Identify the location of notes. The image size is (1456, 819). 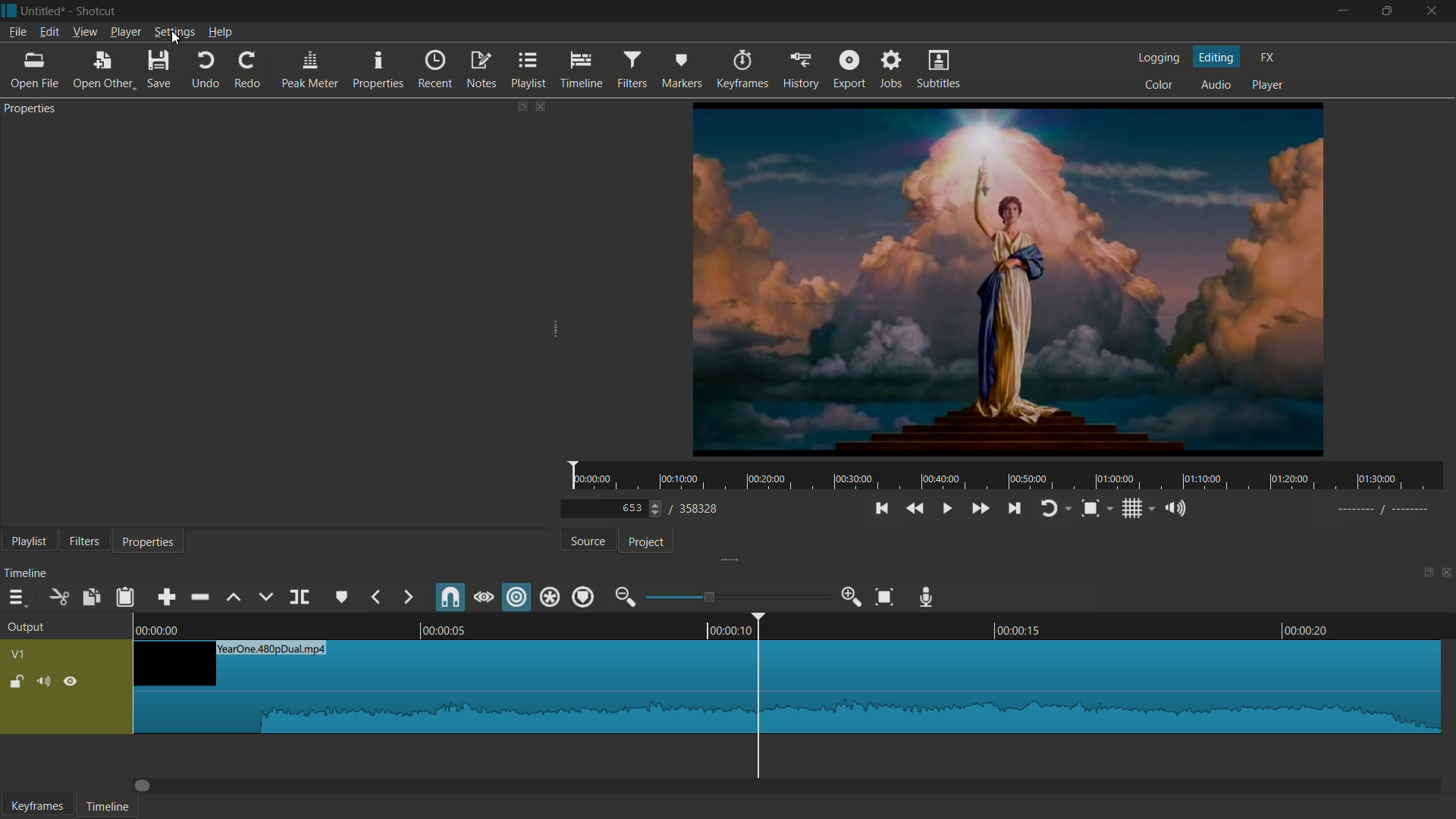
(481, 68).